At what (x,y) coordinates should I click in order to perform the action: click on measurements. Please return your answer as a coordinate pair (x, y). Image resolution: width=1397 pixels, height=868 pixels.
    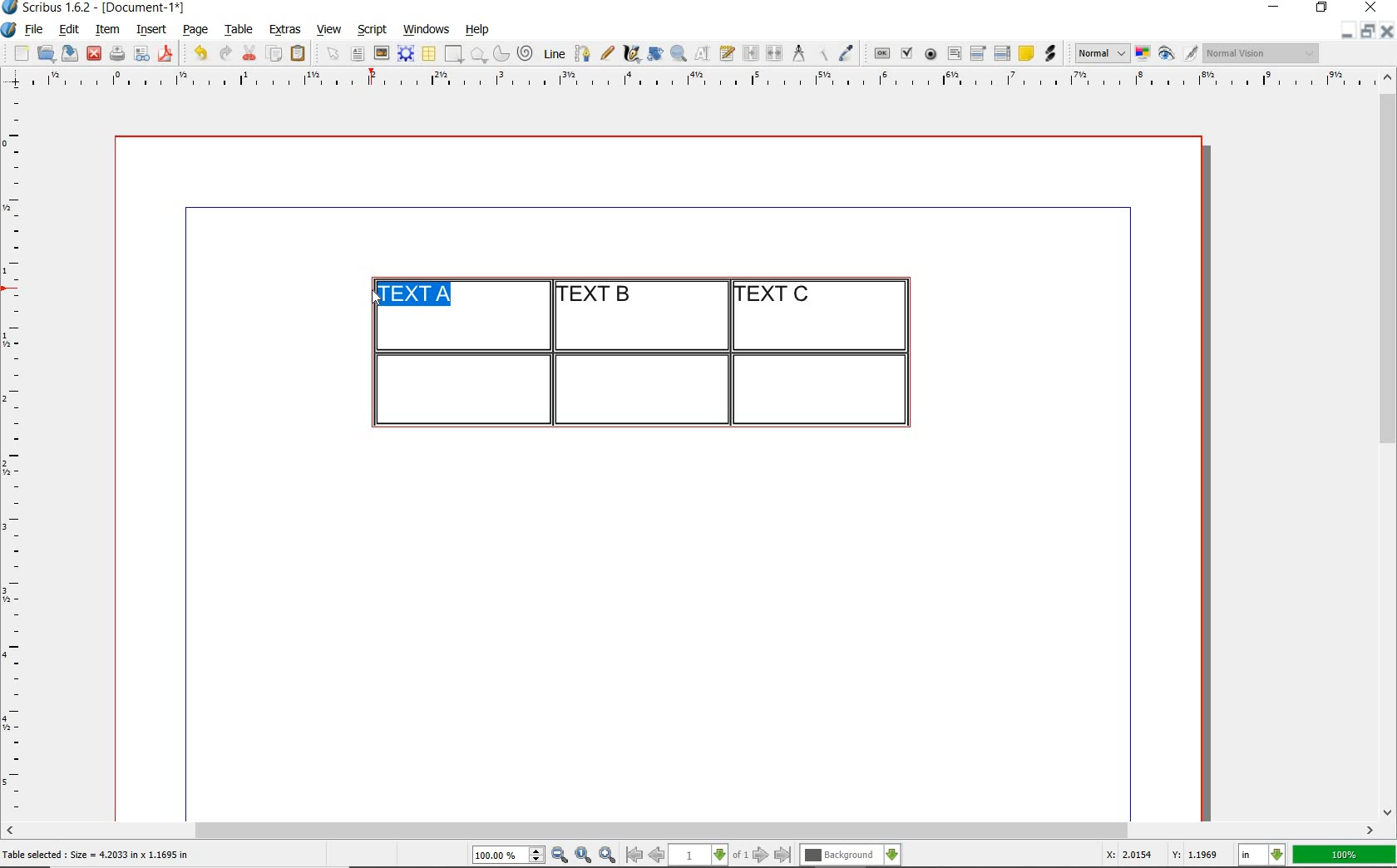
    Looking at the image, I should click on (798, 54).